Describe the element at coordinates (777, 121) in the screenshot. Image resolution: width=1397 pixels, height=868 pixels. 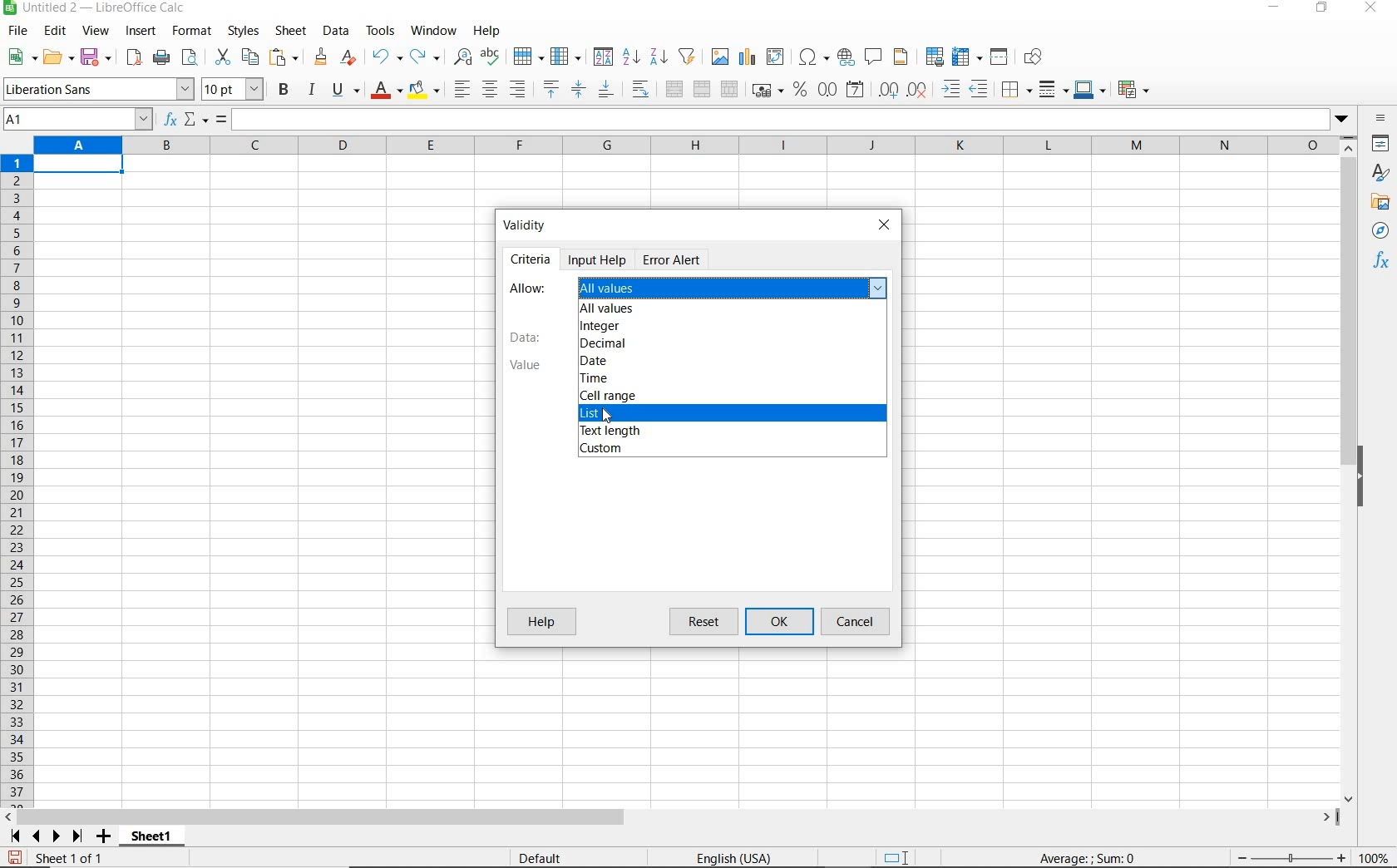
I see `expand formula bar/input line` at that location.